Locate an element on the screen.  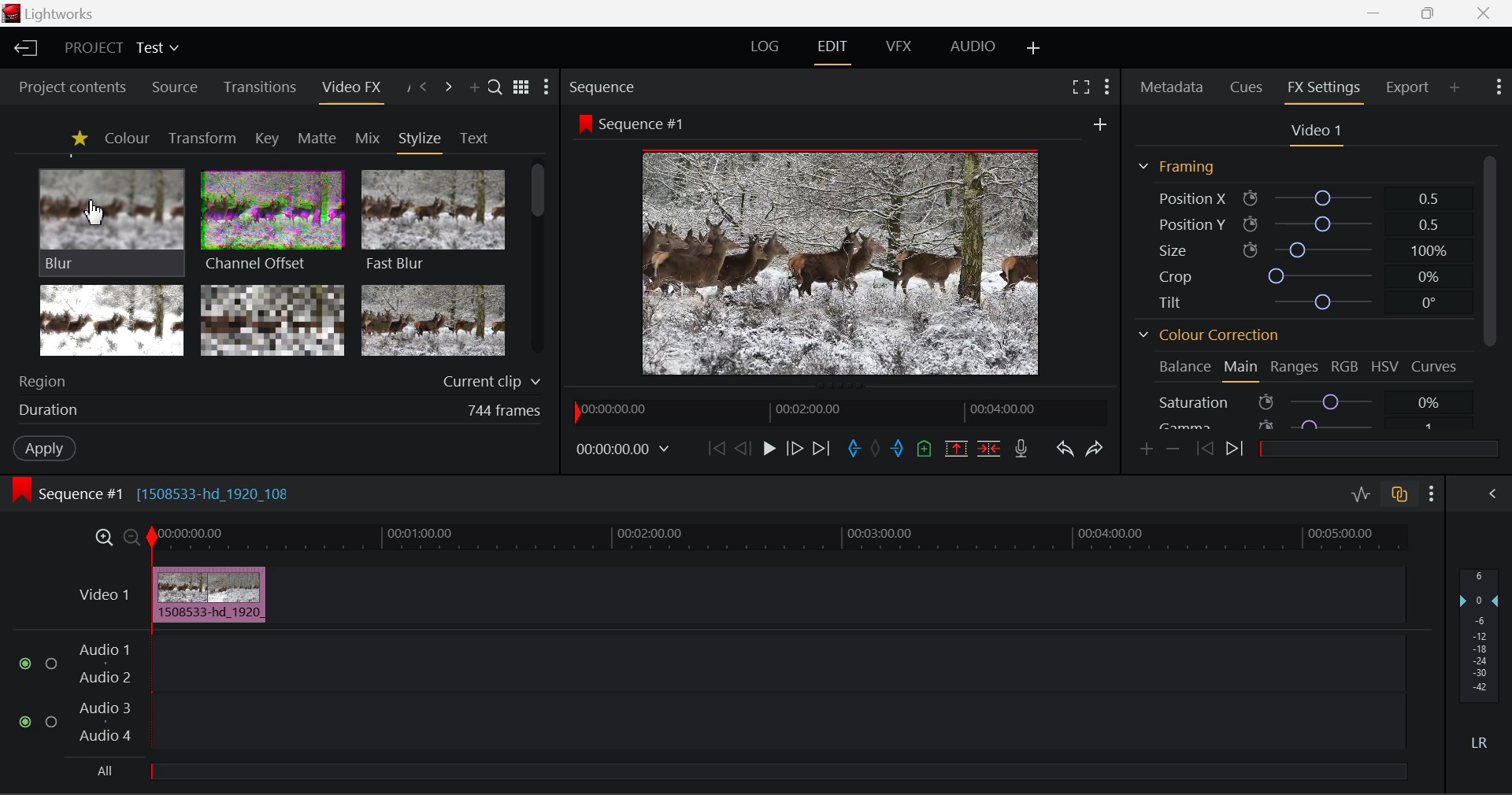
Frame Time is located at coordinates (624, 448).